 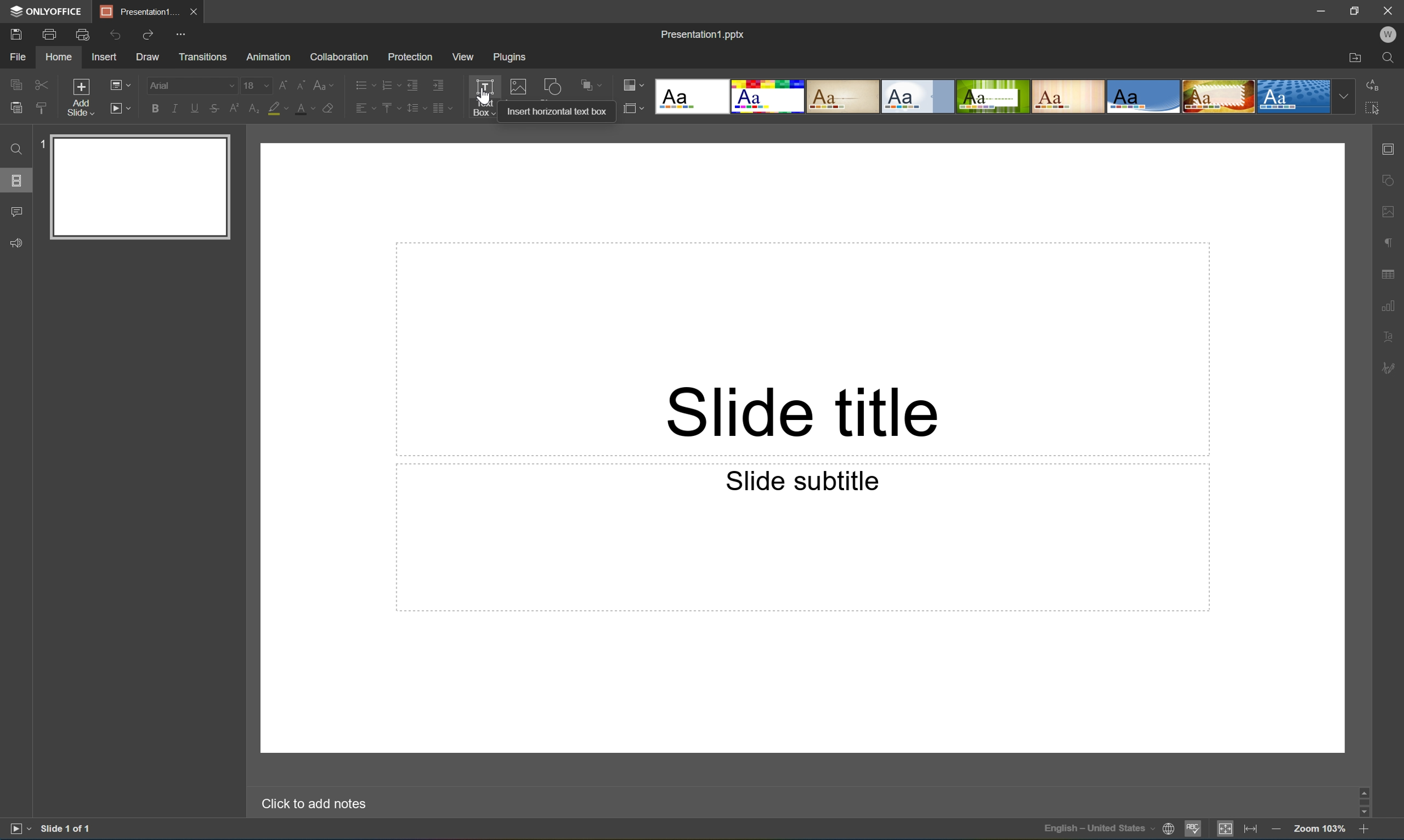 What do you see at coordinates (19, 828) in the screenshot?
I see `Start slideshow` at bounding box center [19, 828].